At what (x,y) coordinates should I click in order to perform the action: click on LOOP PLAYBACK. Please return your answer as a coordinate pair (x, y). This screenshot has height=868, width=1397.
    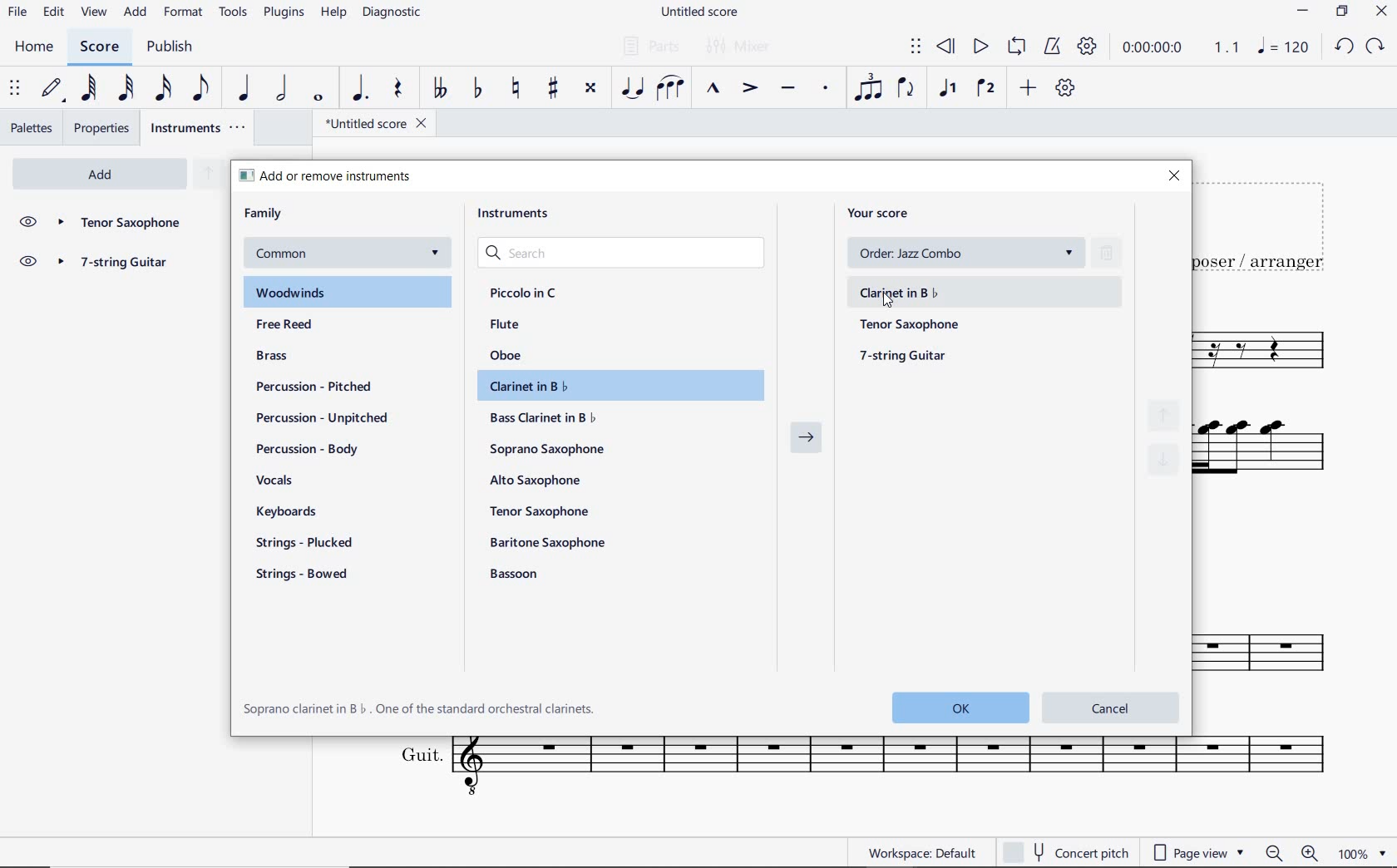
    Looking at the image, I should click on (1014, 47).